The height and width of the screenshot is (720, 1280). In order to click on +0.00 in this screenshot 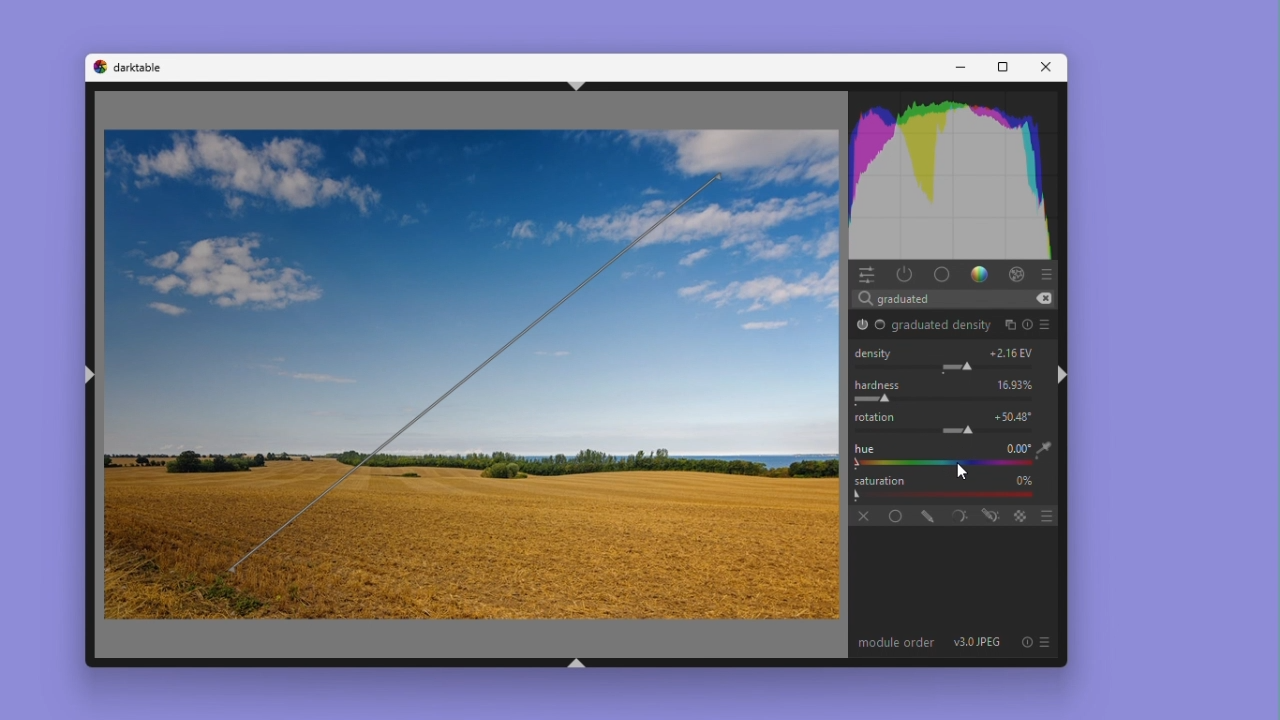, I will do `click(1015, 448)`.